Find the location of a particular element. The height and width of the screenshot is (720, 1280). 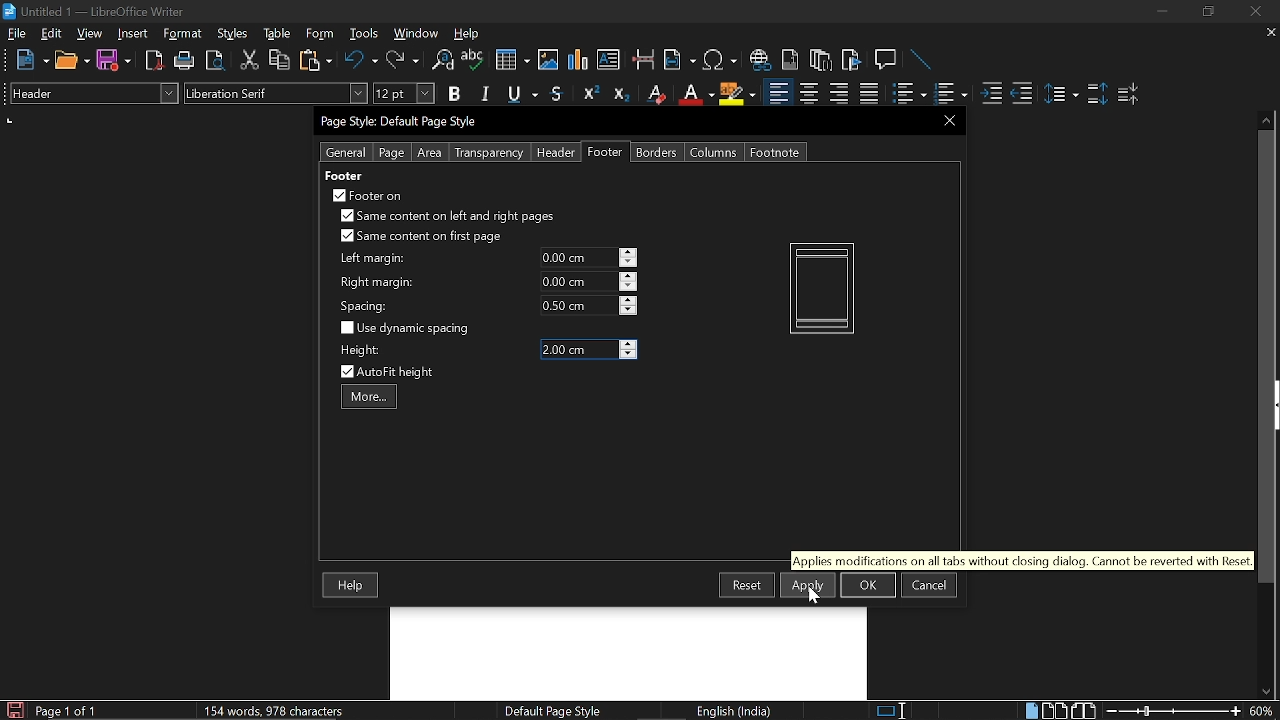

Underline is located at coordinates (695, 94).